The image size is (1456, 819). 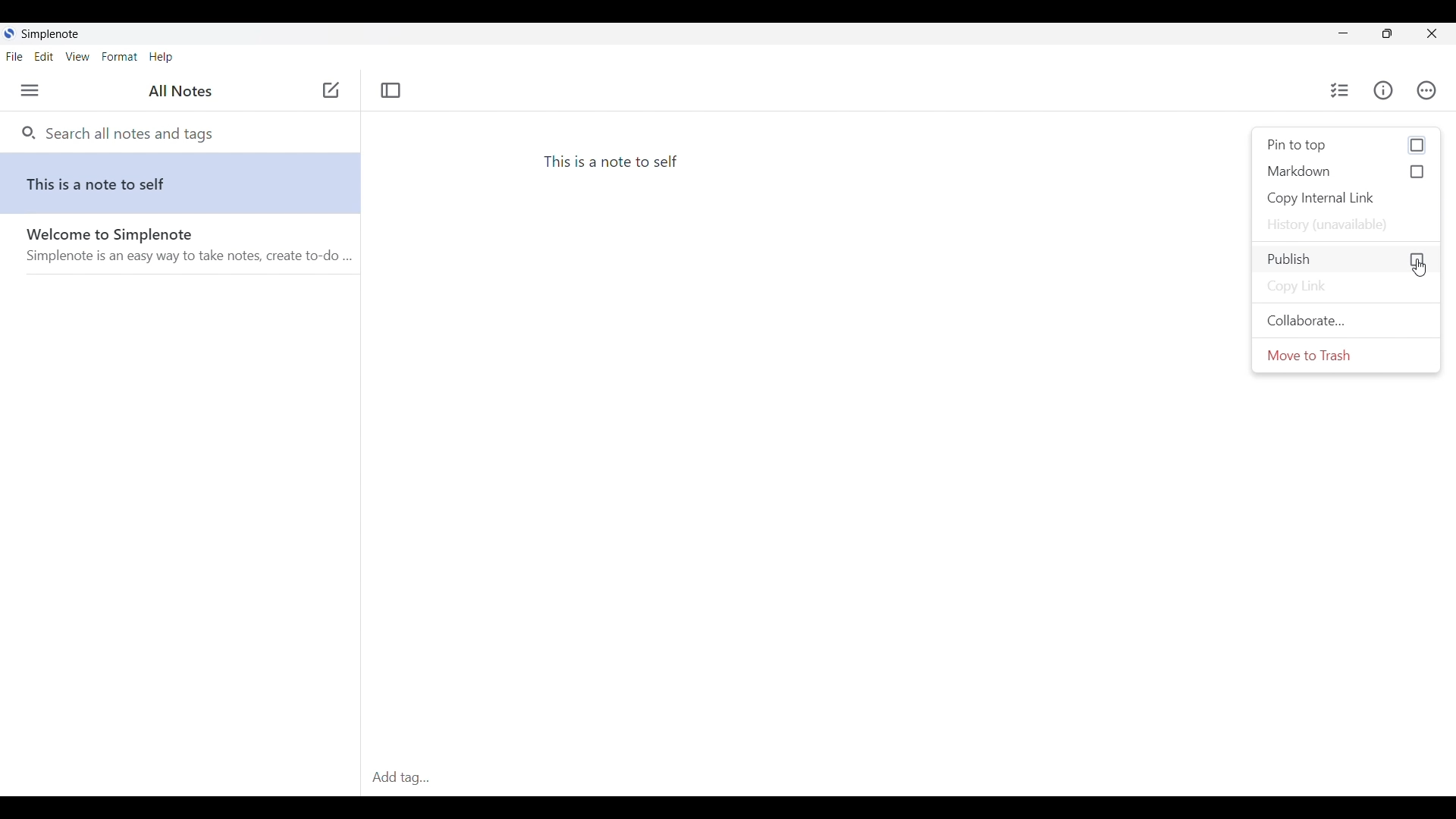 What do you see at coordinates (46, 34) in the screenshot?
I see `Simplenote` at bounding box center [46, 34].